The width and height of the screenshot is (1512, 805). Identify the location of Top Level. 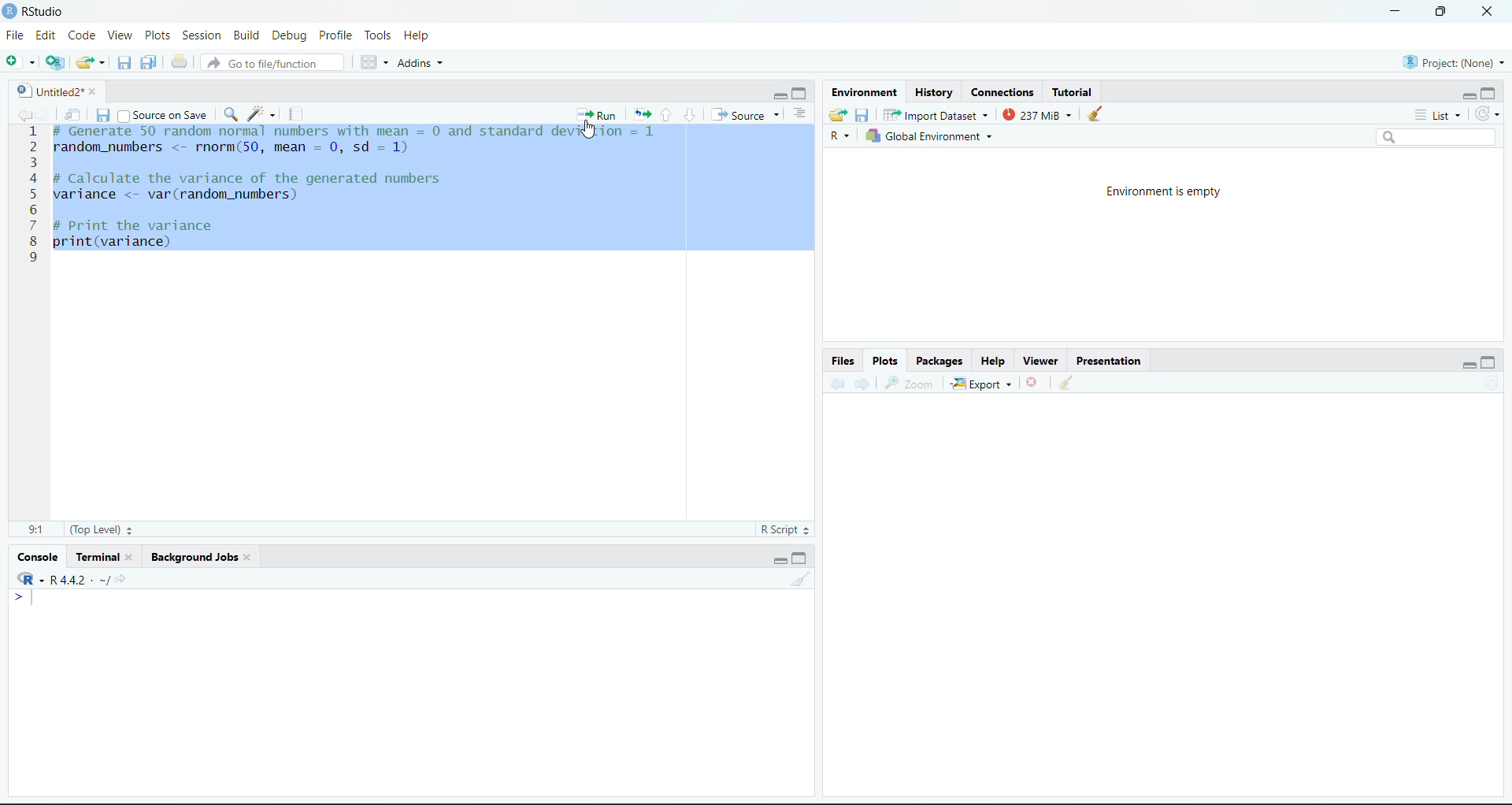
(102, 529).